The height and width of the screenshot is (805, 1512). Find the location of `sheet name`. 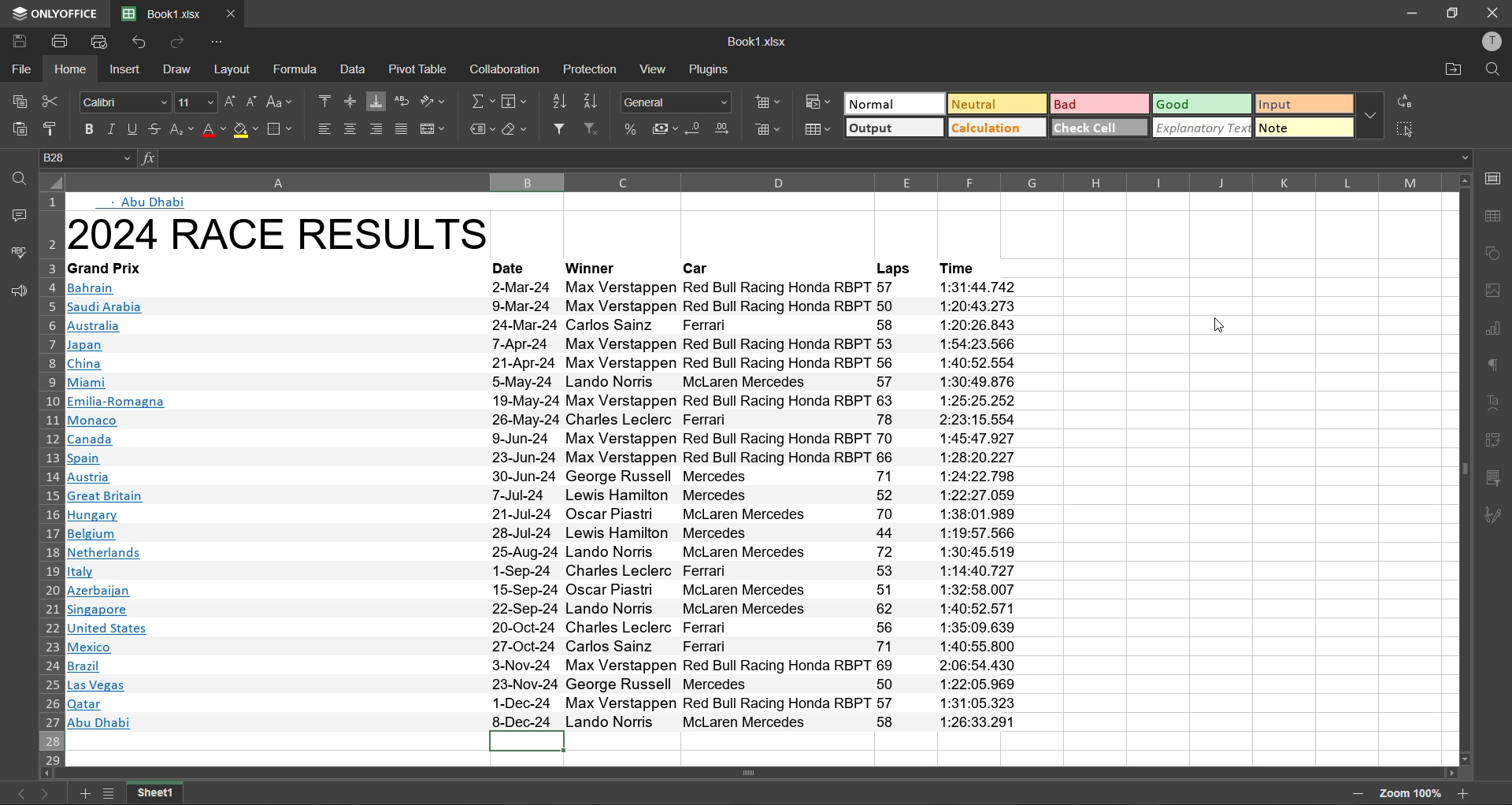

sheet name is located at coordinates (164, 794).